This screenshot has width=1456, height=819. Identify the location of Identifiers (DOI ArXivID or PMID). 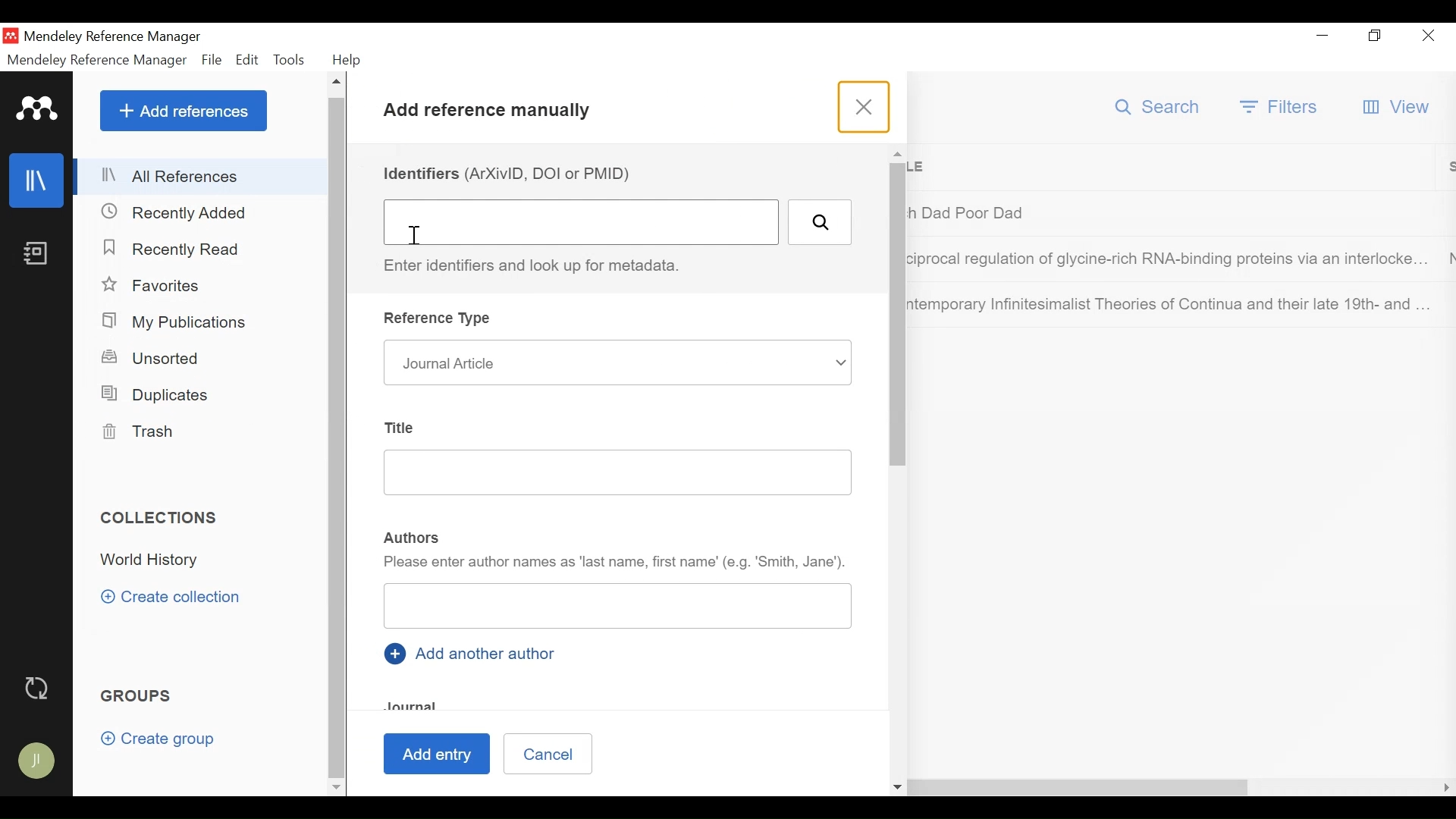
(512, 174).